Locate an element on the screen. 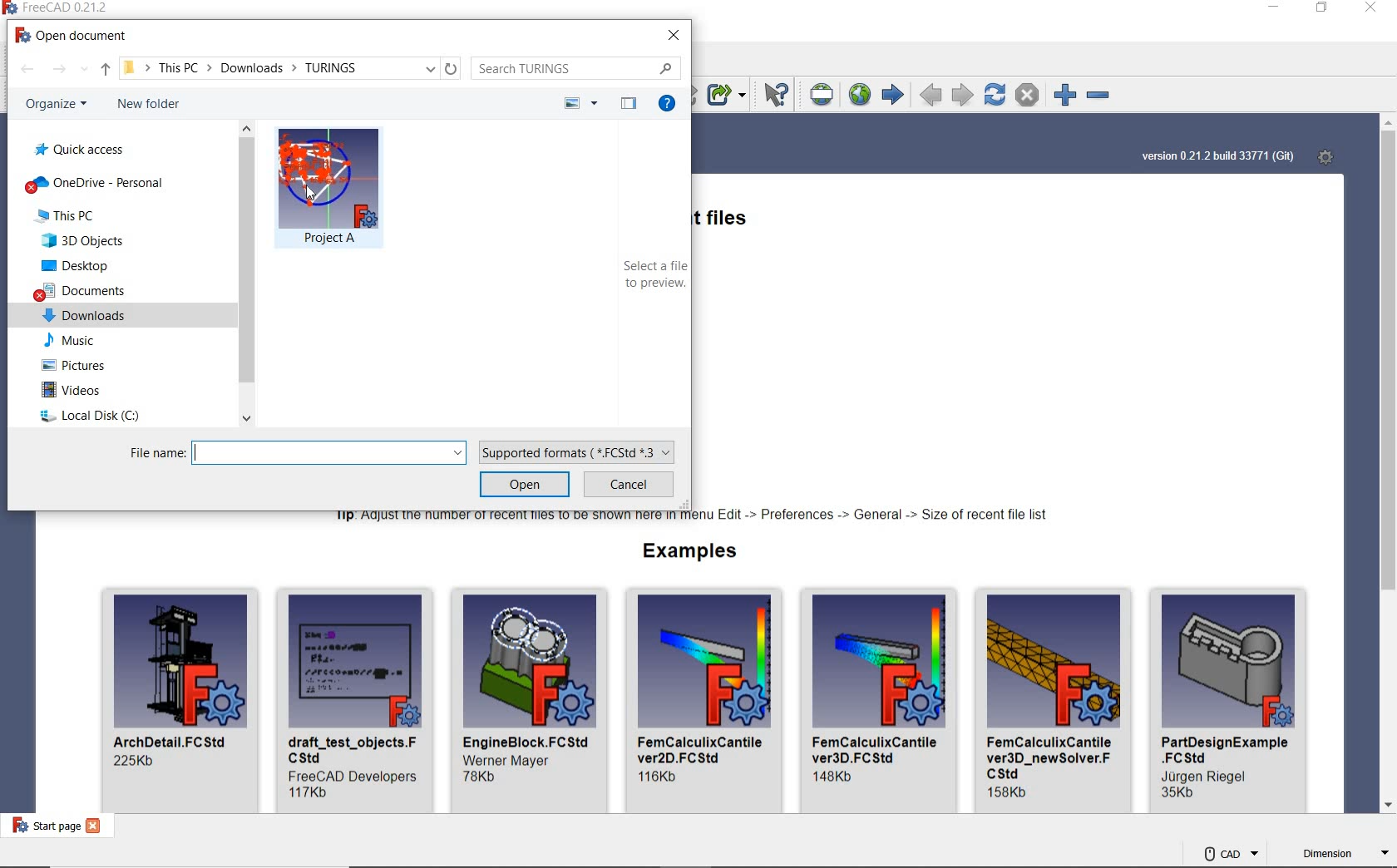 This screenshot has height=868, width=1397. name is located at coordinates (703, 748).